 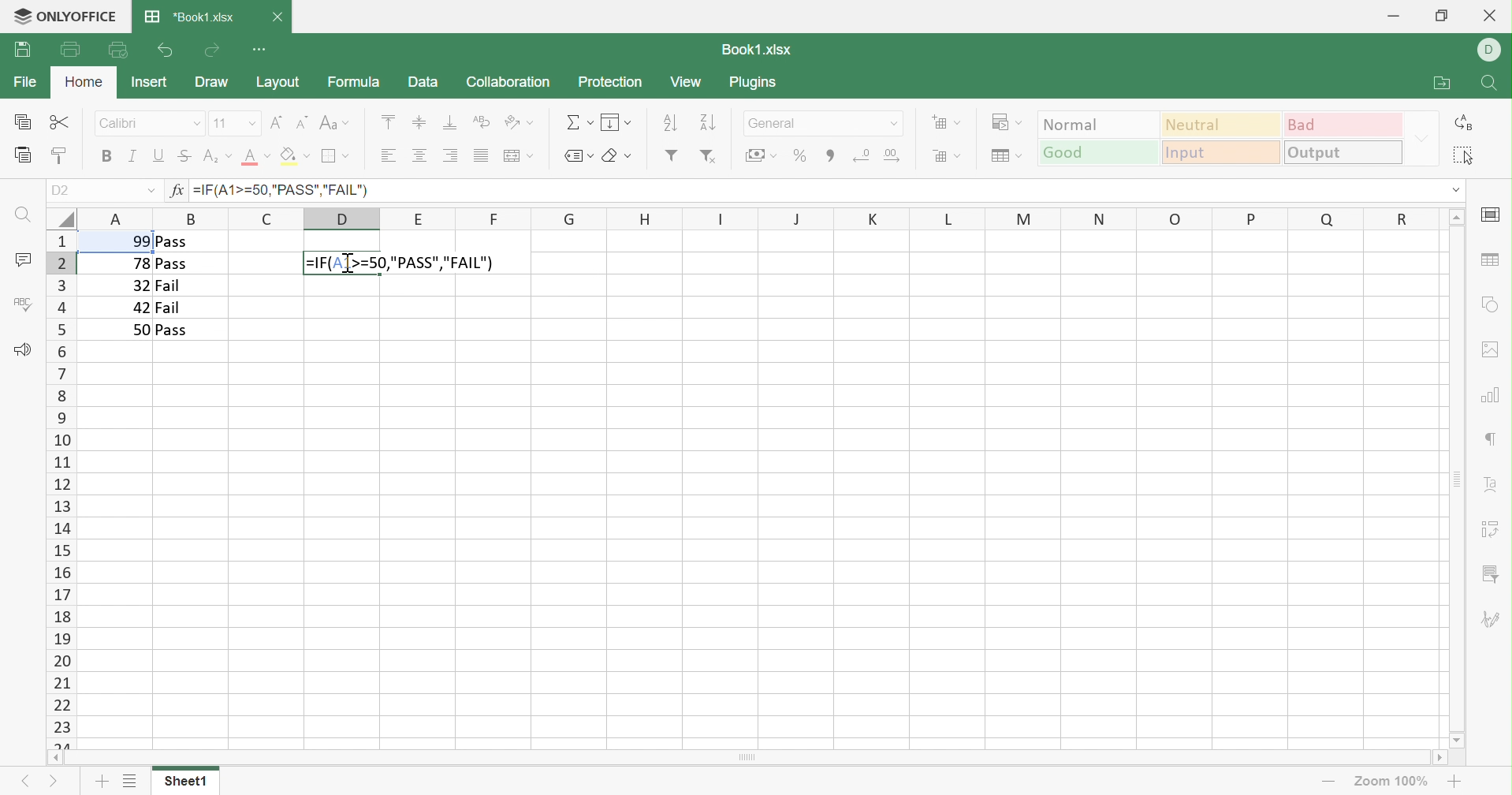 What do you see at coordinates (708, 156) in the screenshot?
I see `Remove filter` at bounding box center [708, 156].